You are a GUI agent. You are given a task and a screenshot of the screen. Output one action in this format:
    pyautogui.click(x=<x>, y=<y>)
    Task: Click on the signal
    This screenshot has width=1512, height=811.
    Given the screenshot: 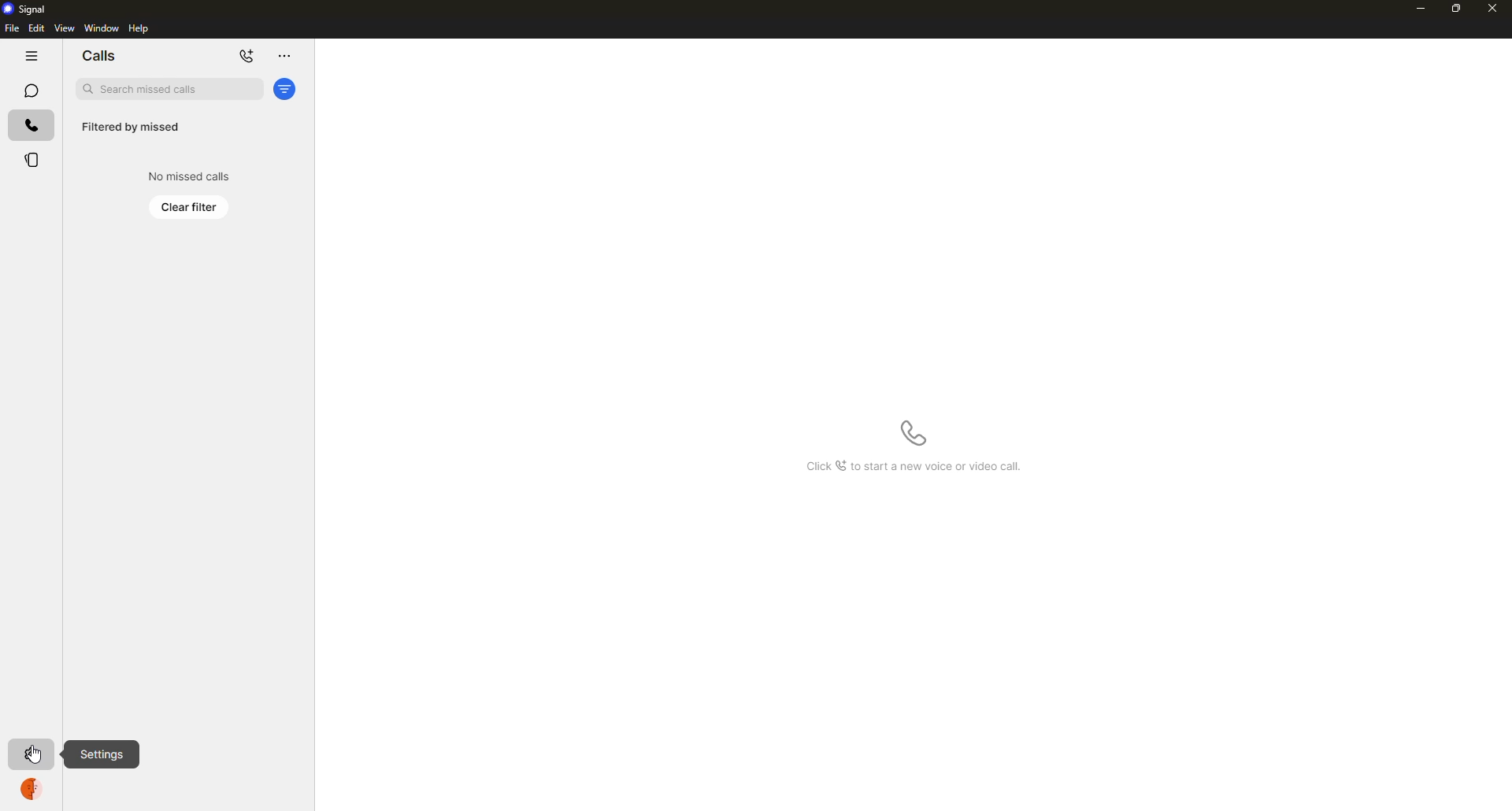 What is the action you would take?
    pyautogui.click(x=26, y=9)
    